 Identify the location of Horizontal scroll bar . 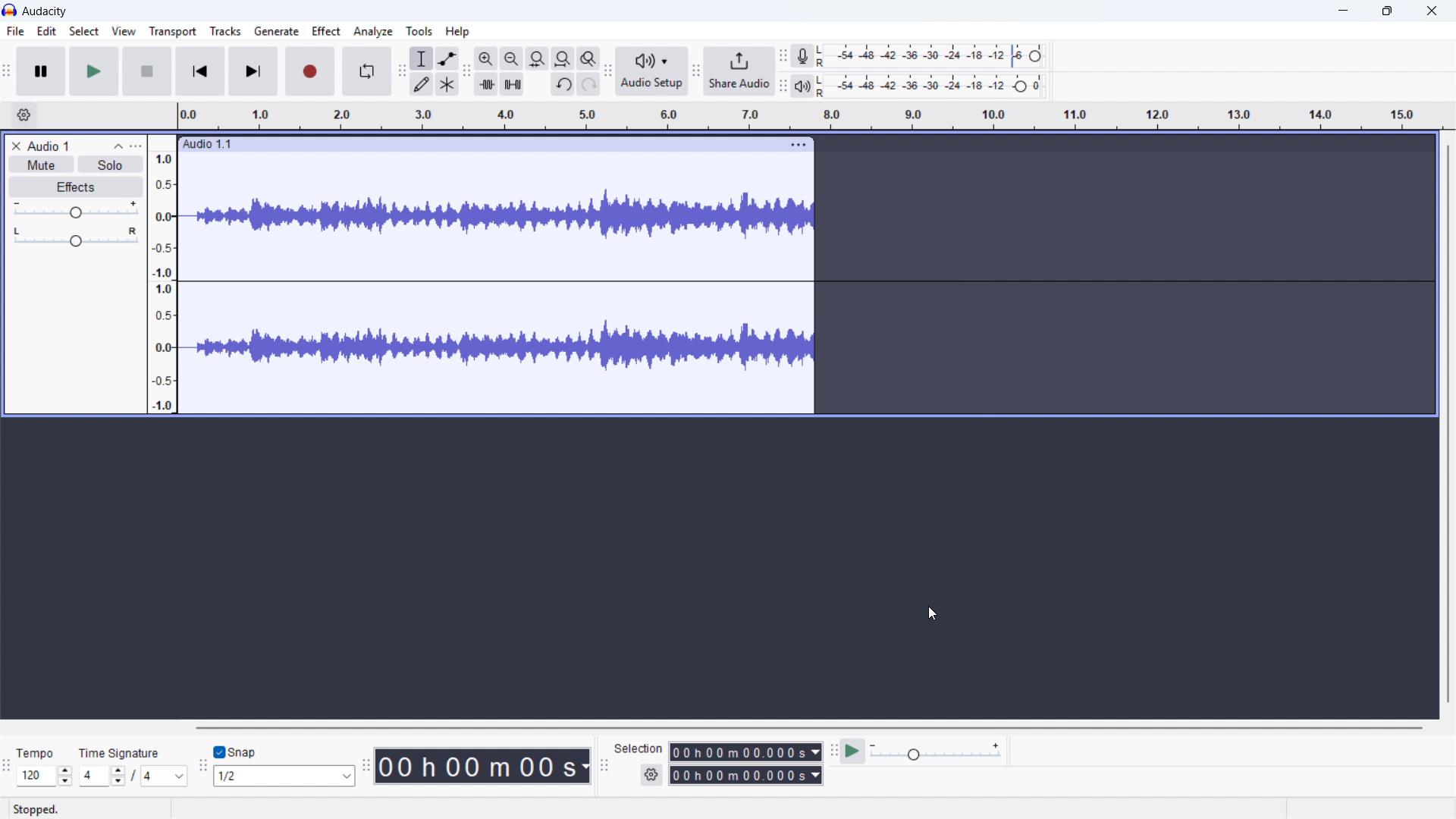
(807, 728).